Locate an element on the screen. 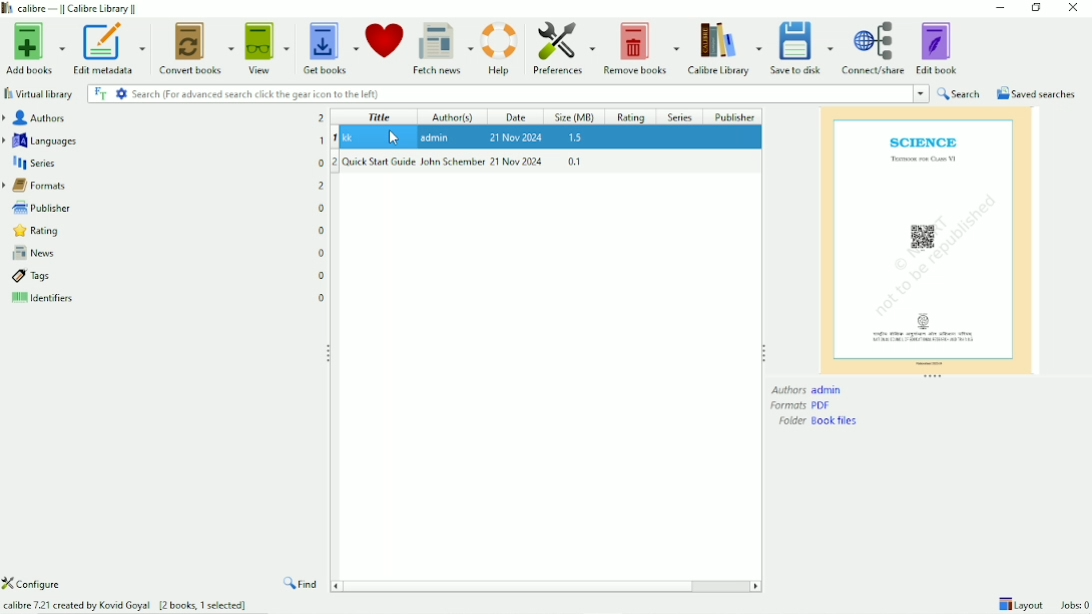  Series is located at coordinates (34, 164).